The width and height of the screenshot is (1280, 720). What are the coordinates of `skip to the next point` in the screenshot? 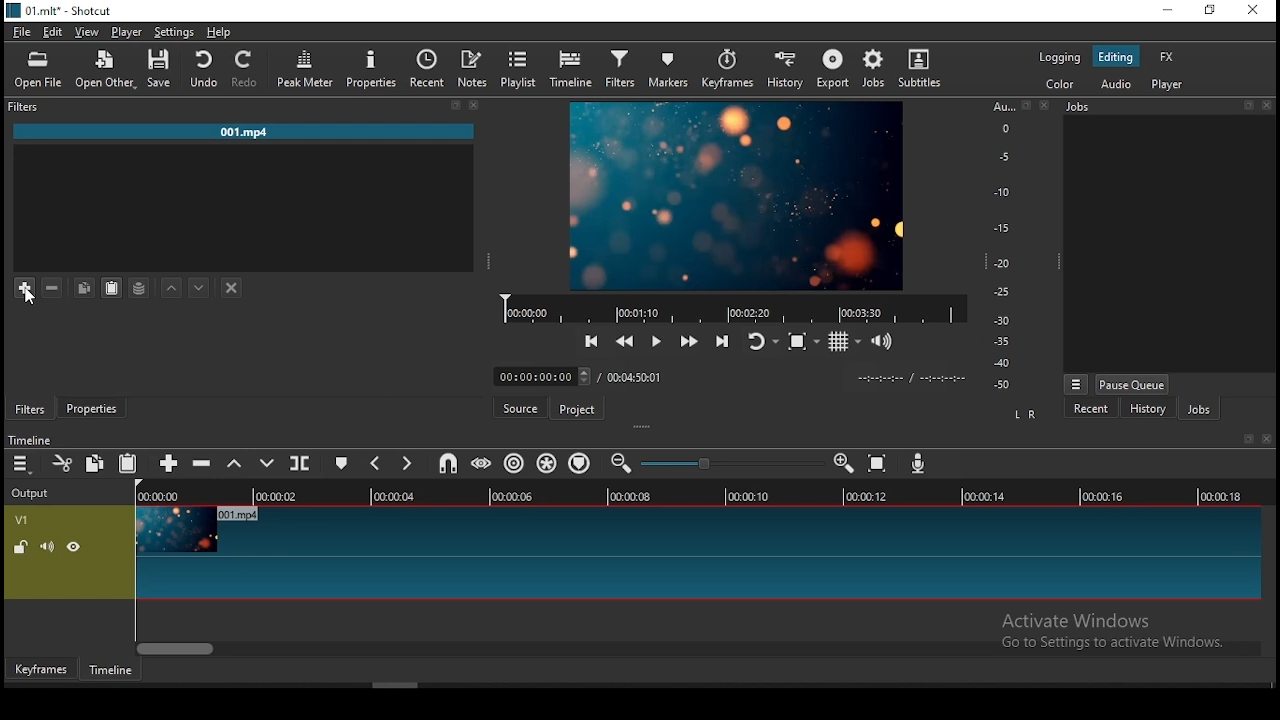 It's located at (719, 338).